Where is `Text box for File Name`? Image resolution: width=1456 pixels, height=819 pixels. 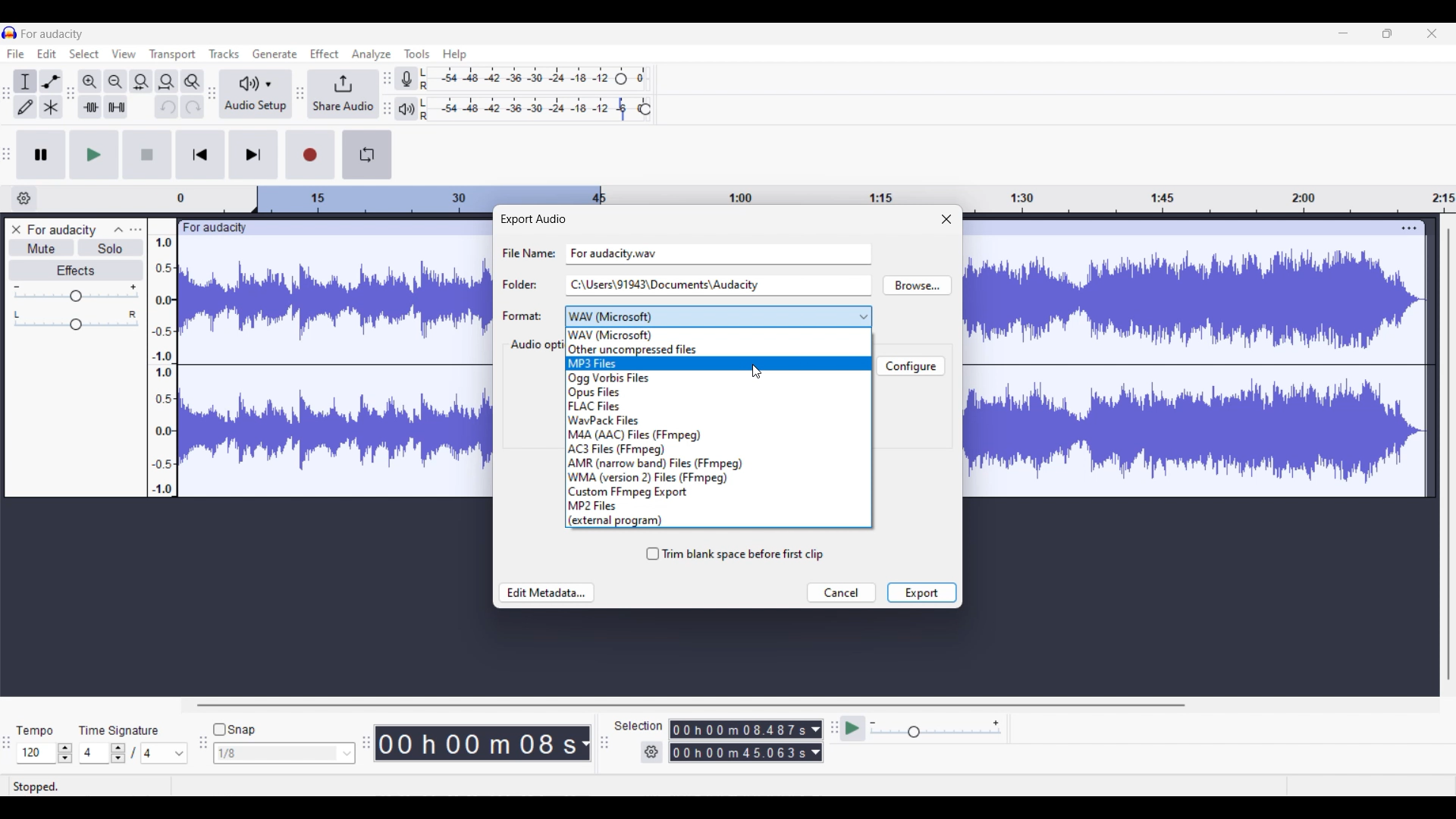 Text box for File Name is located at coordinates (719, 253).